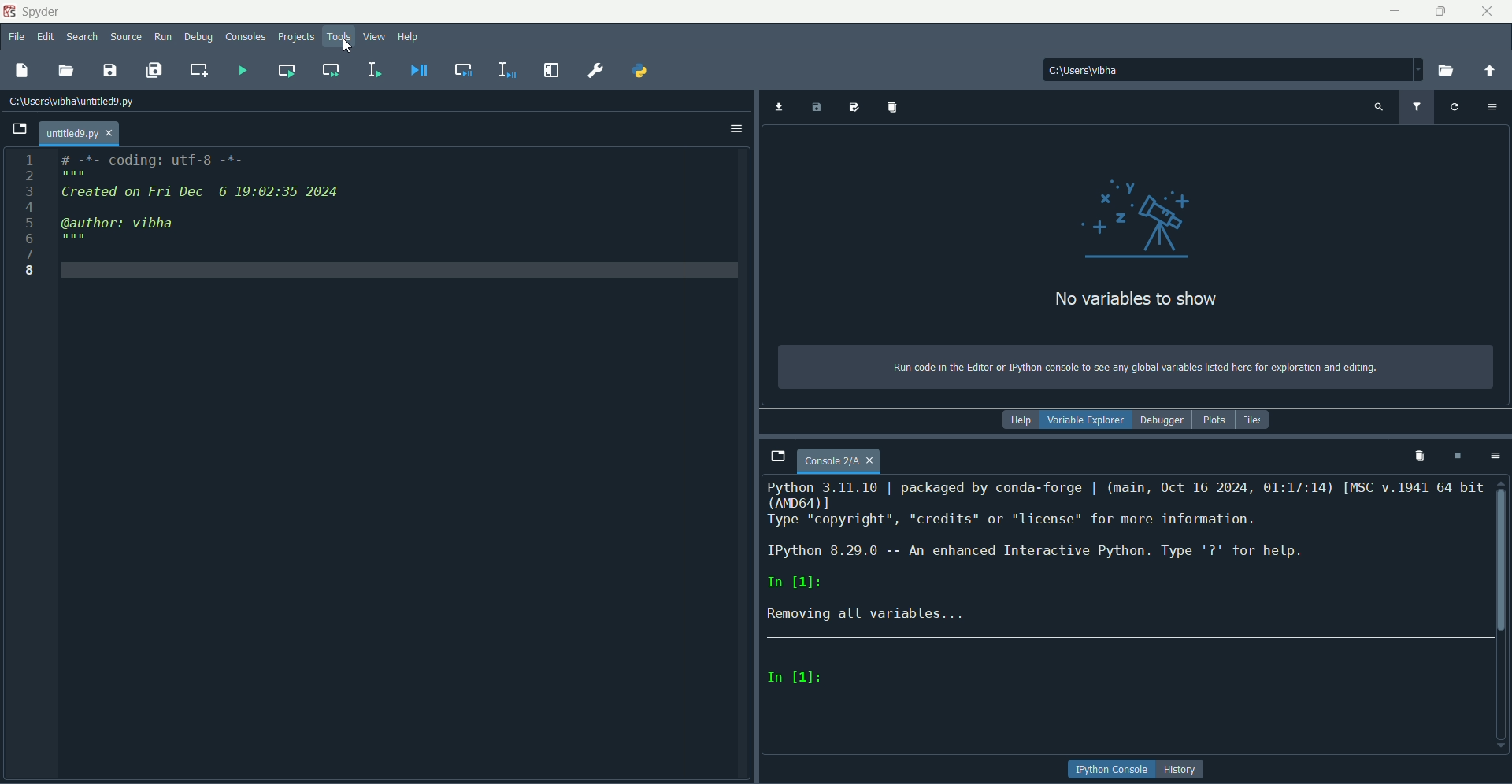 This screenshot has width=1512, height=784. What do you see at coordinates (164, 37) in the screenshot?
I see `run` at bounding box center [164, 37].